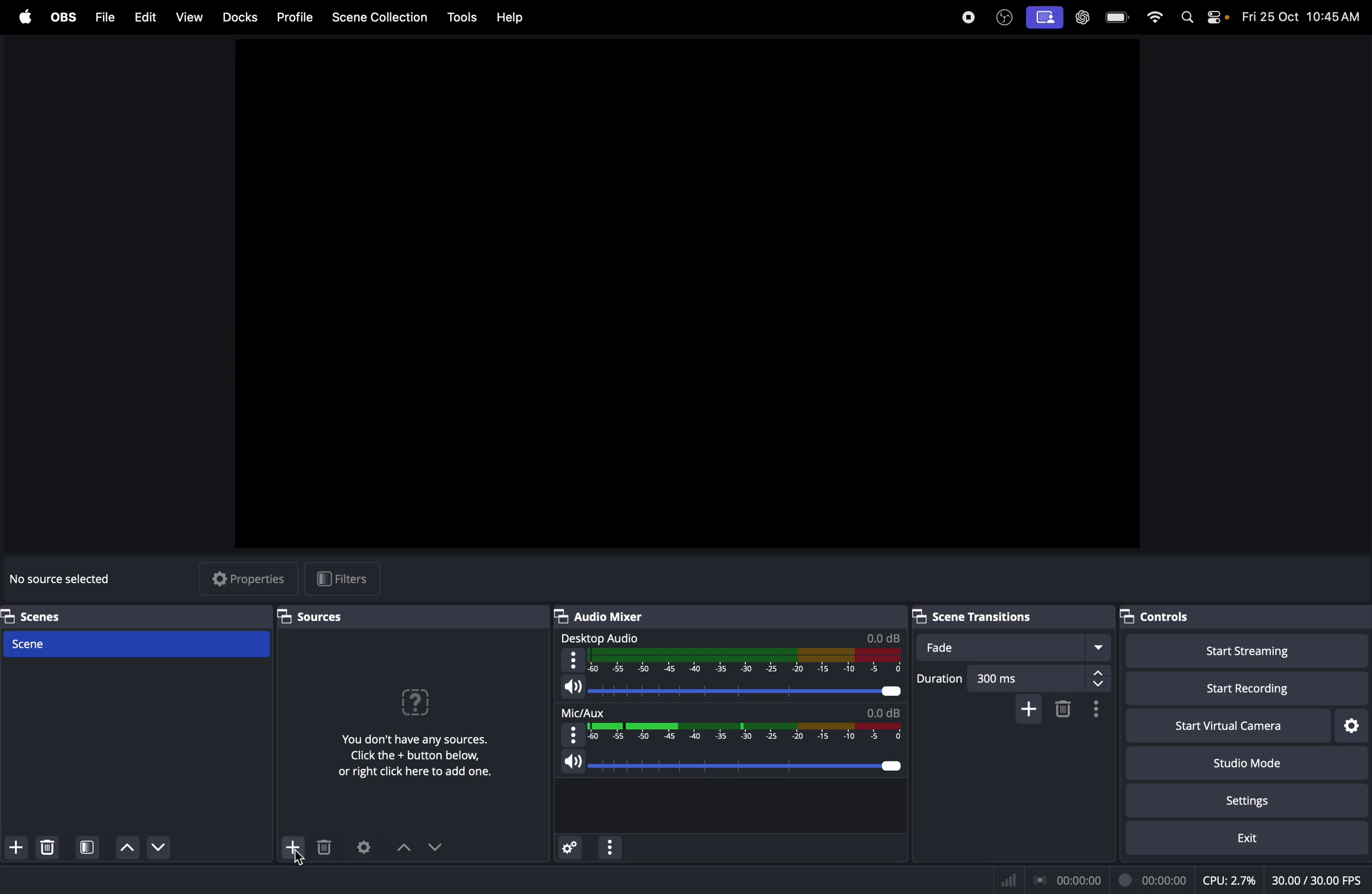 This screenshot has height=894, width=1372. I want to click on record, so click(967, 18).